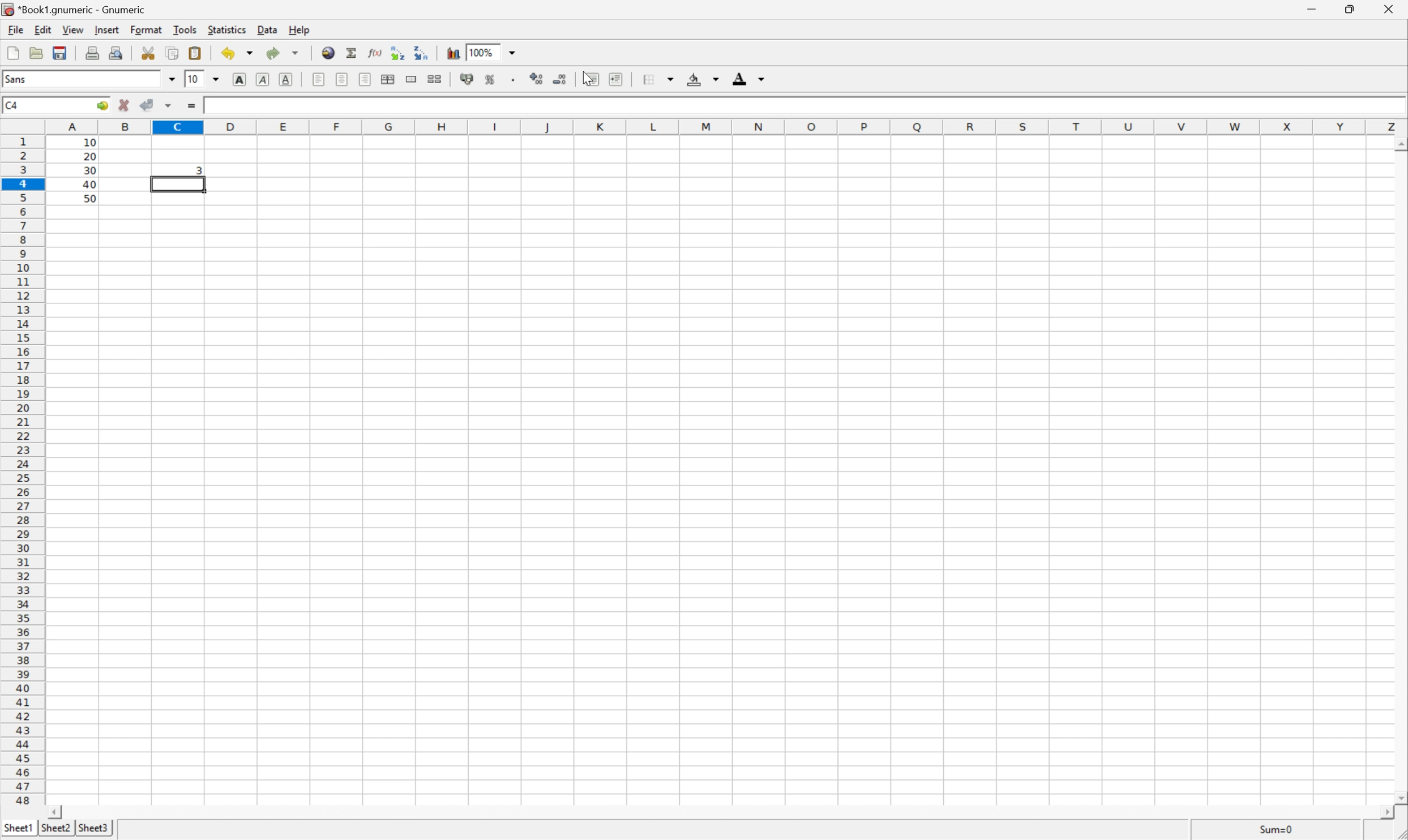 The height and width of the screenshot is (840, 1408). What do you see at coordinates (74, 30) in the screenshot?
I see `View` at bounding box center [74, 30].